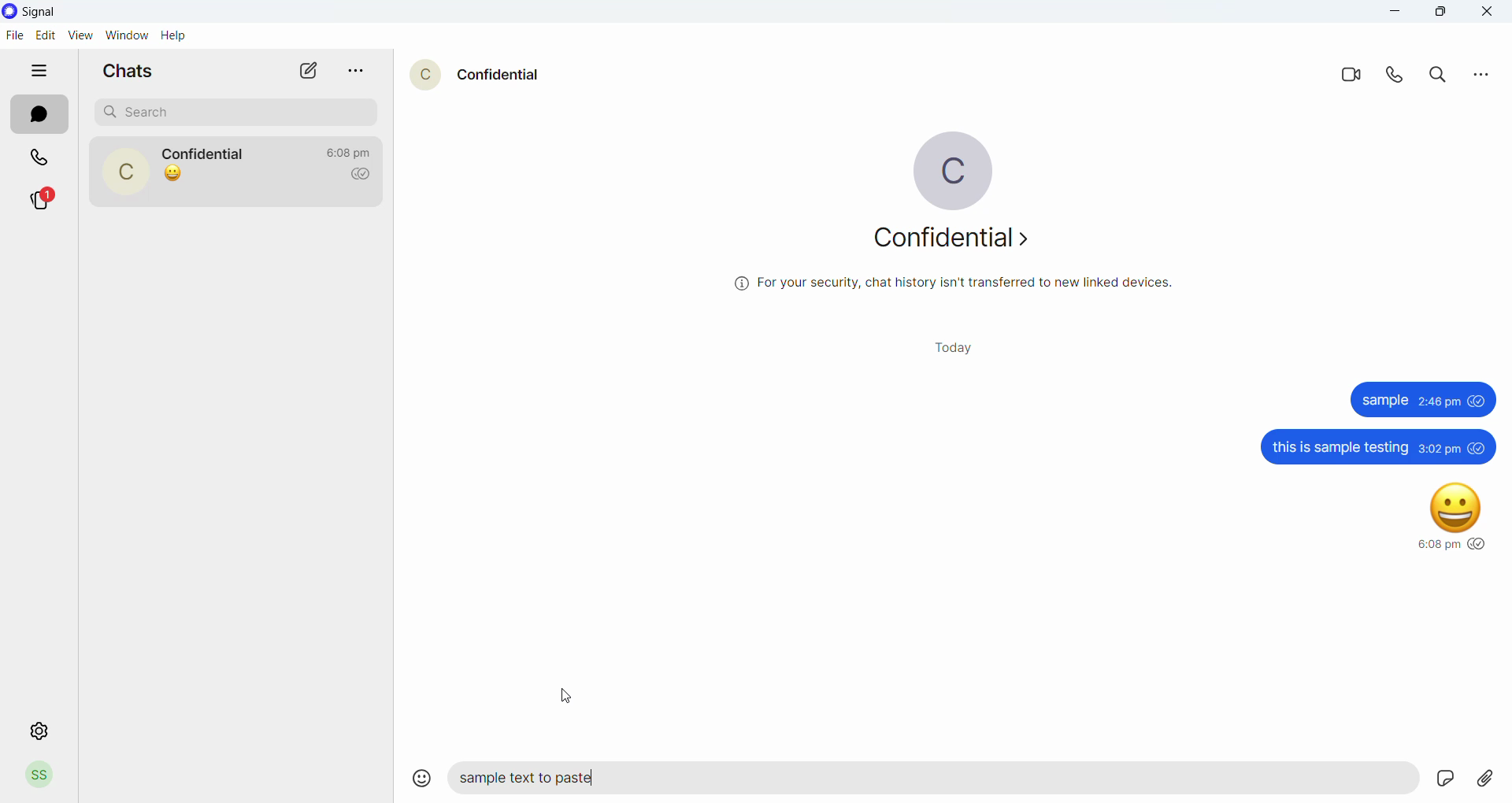  I want to click on view, so click(81, 35).